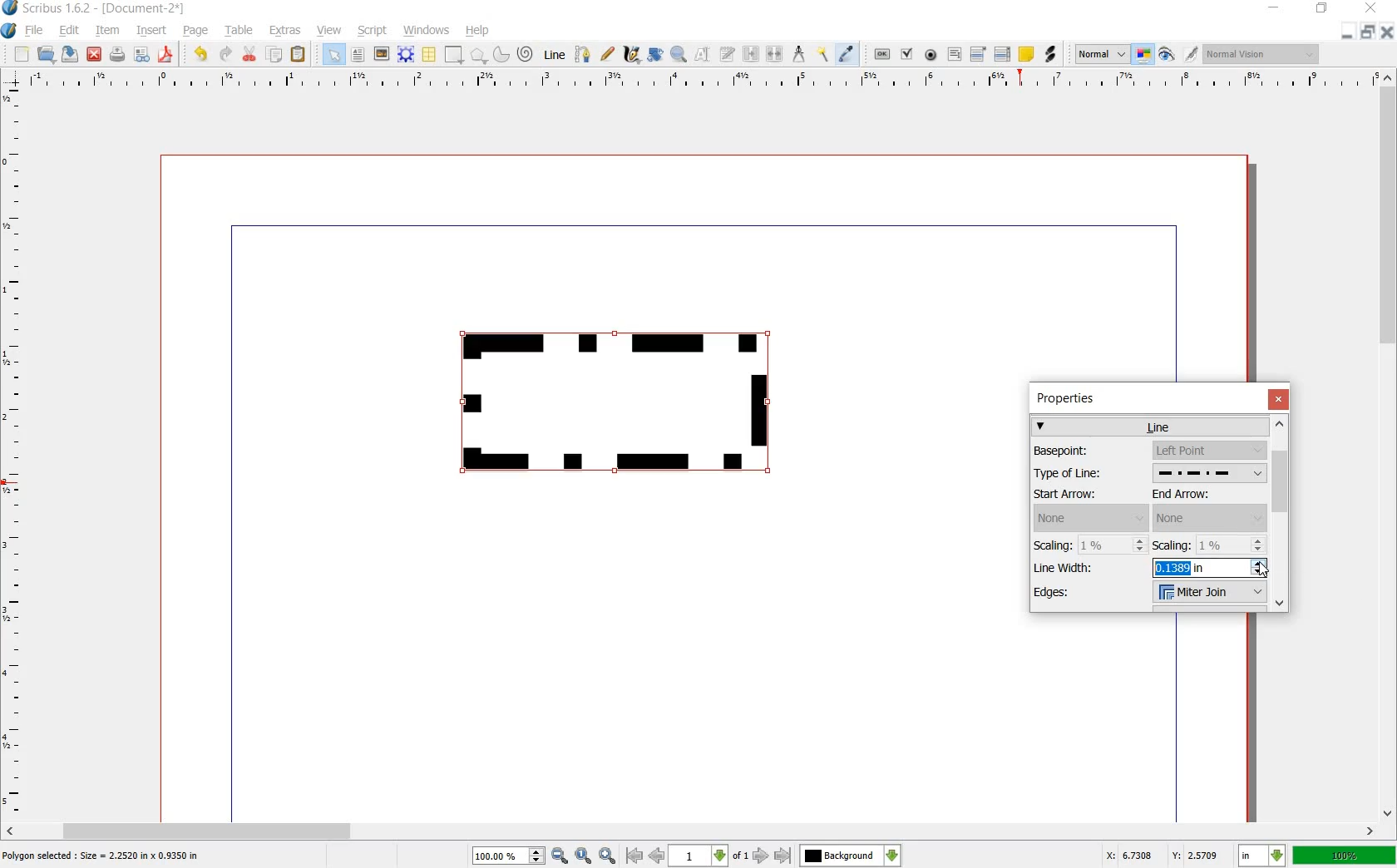 The width and height of the screenshot is (1397, 868). Describe the element at coordinates (106, 31) in the screenshot. I see `ITEM` at that location.